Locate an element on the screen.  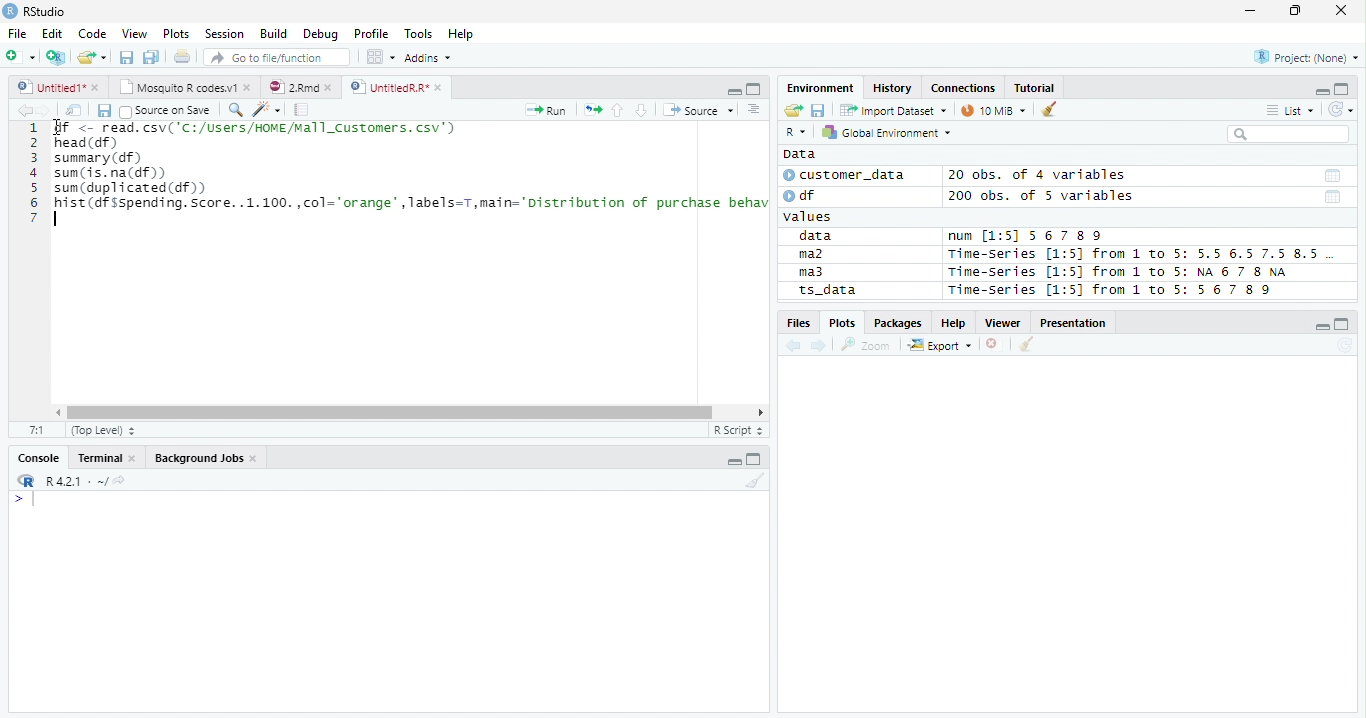
Date is located at coordinates (1333, 198).